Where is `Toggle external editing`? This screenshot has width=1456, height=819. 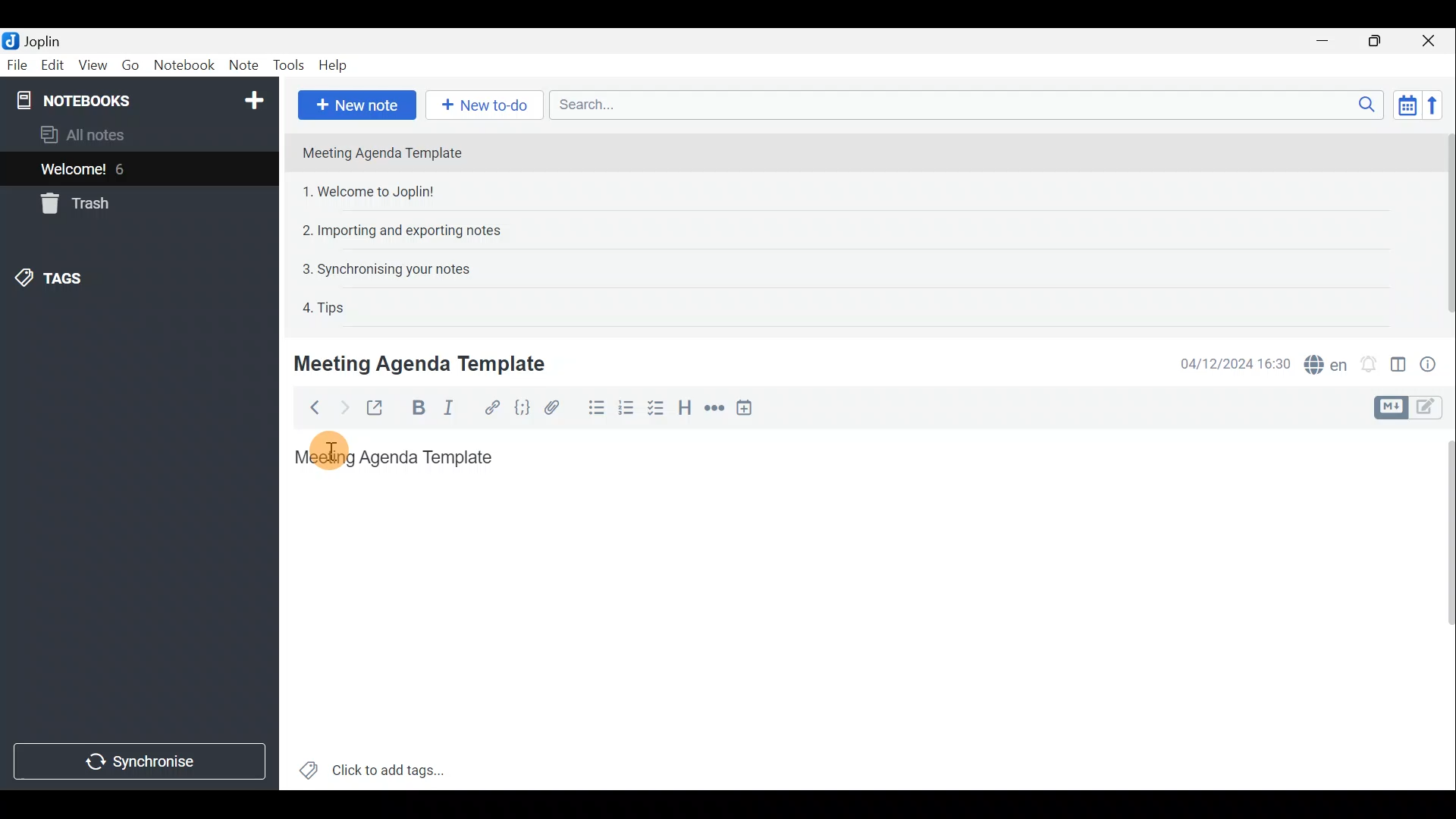 Toggle external editing is located at coordinates (379, 409).